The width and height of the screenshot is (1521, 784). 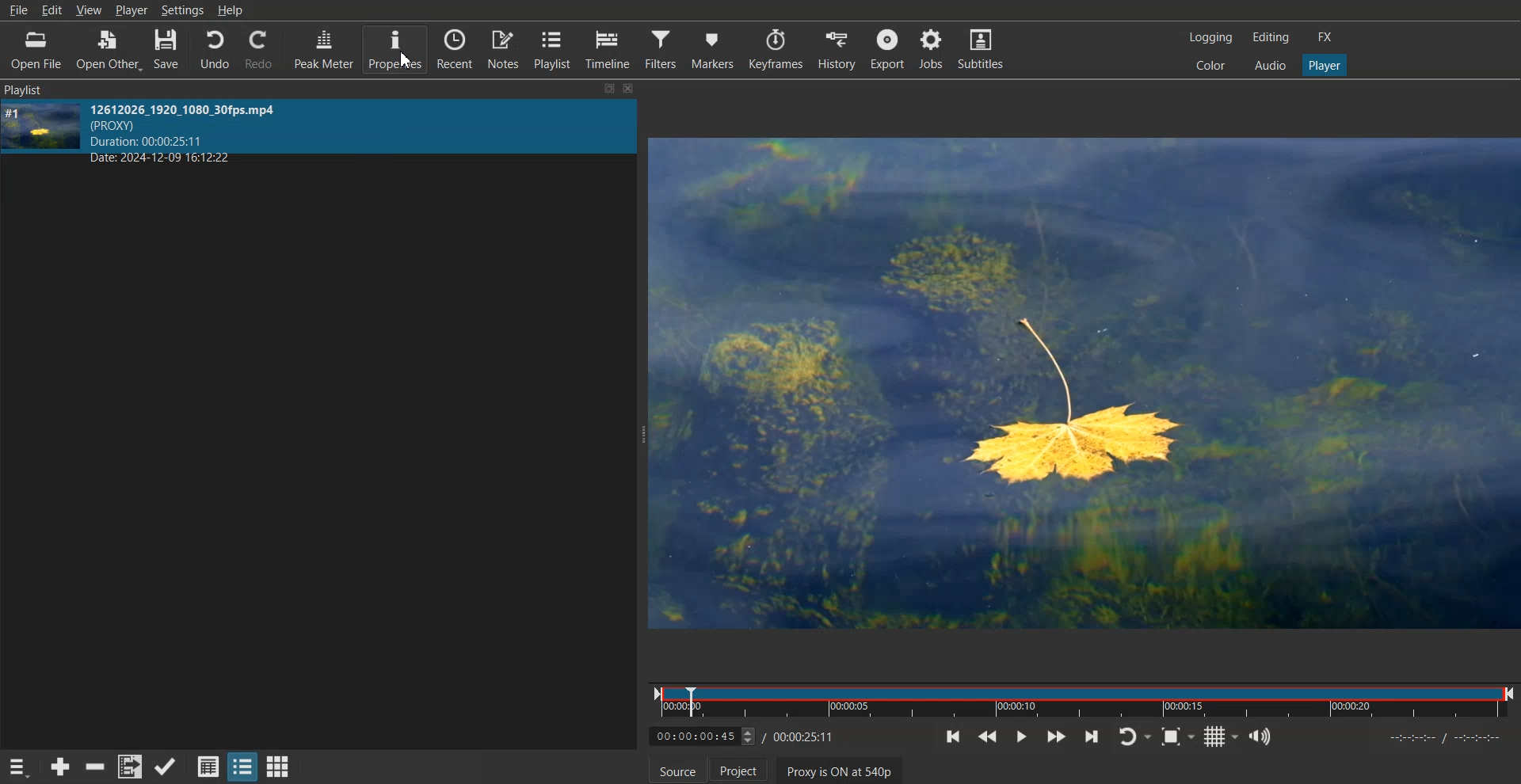 What do you see at coordinates (703, 736) in the screenshot?
I see `Video Time adjuster` at bounding box center [703, 736].